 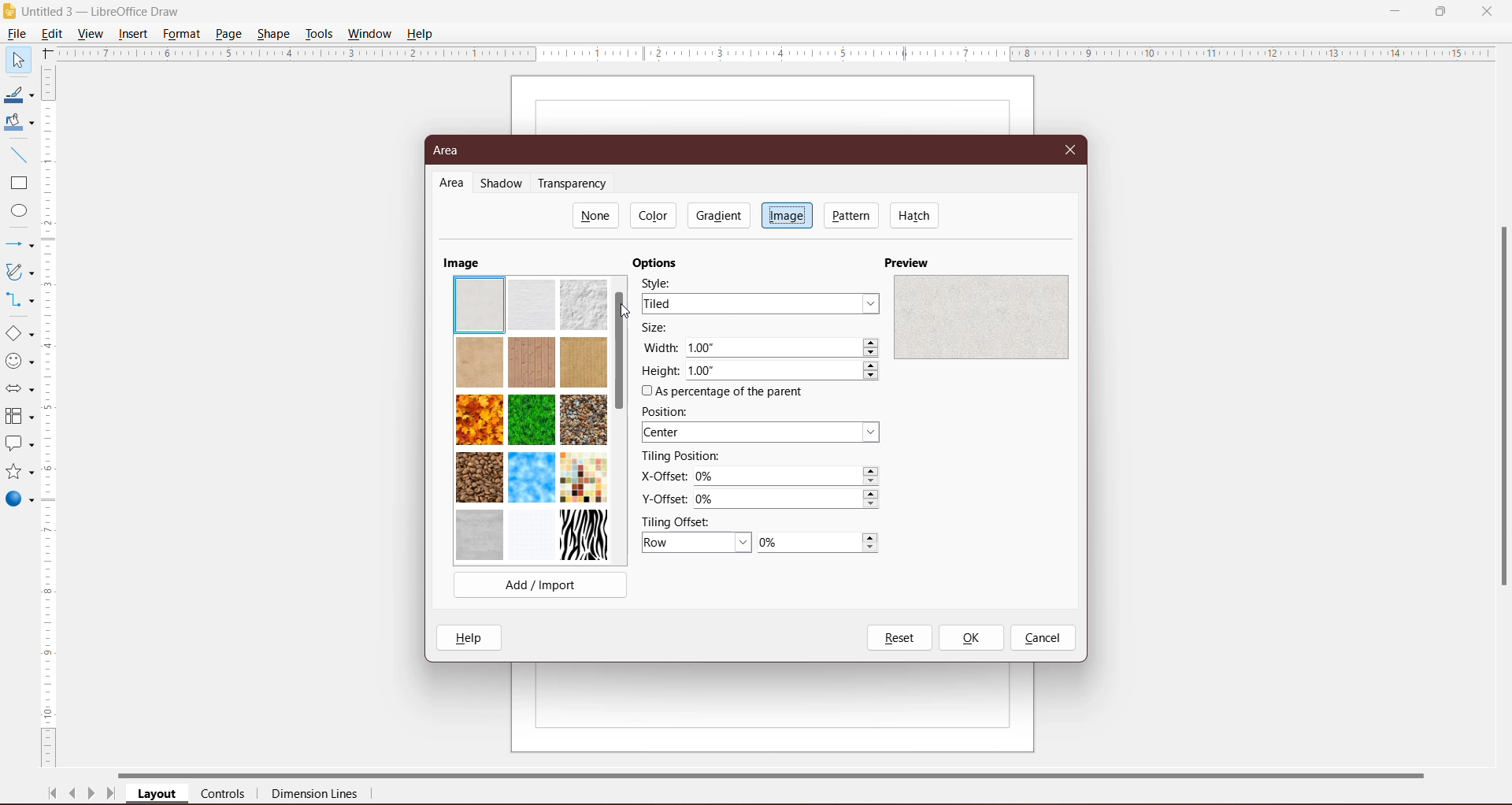 I want to click on Minimize, so click(x=1396, y=9).